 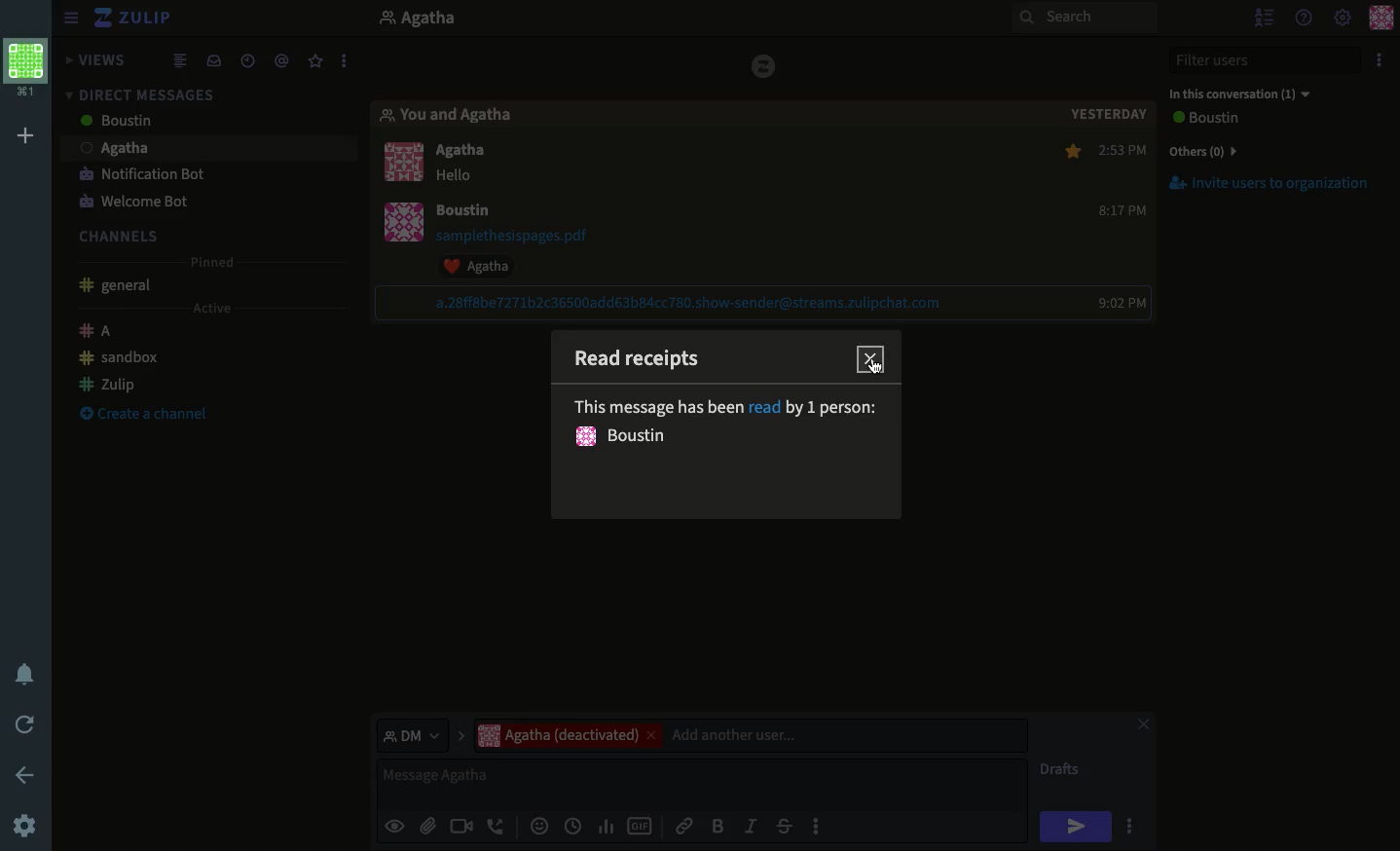 I want to click on Message, so click(x=705, y=784).